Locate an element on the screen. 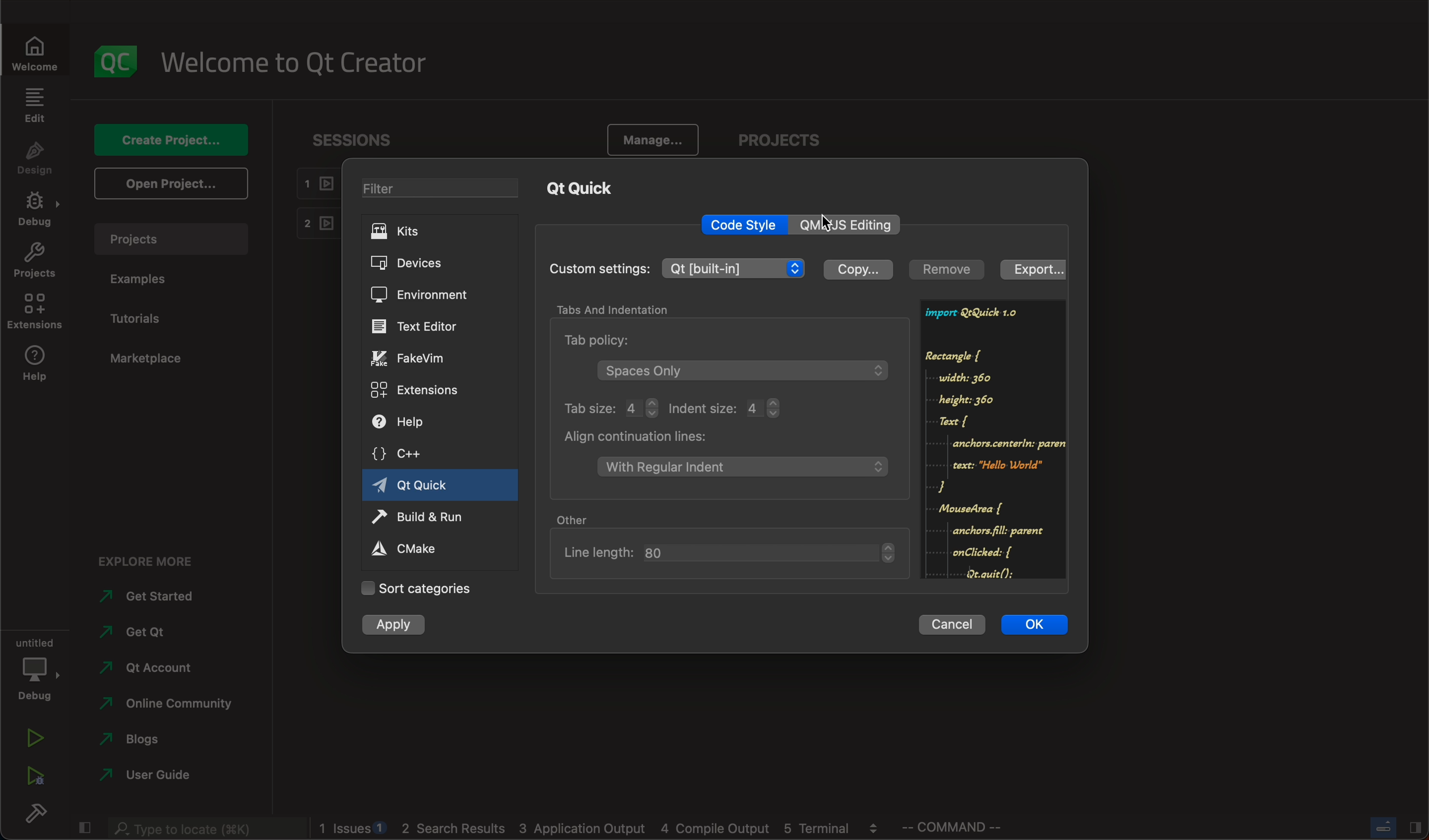  marketplace is located at coordinates (166, 358).